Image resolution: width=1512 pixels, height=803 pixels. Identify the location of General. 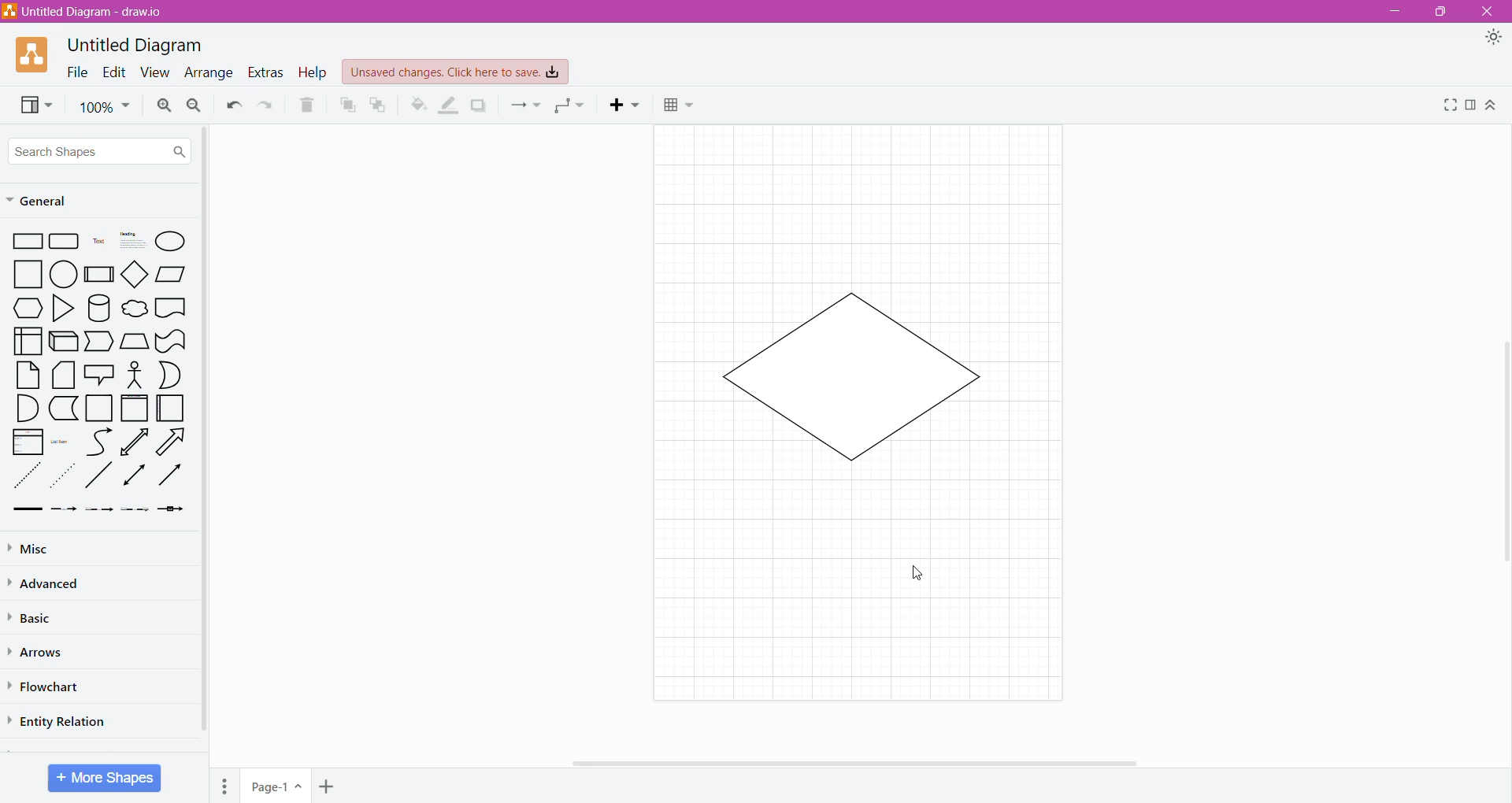
(83, 200).